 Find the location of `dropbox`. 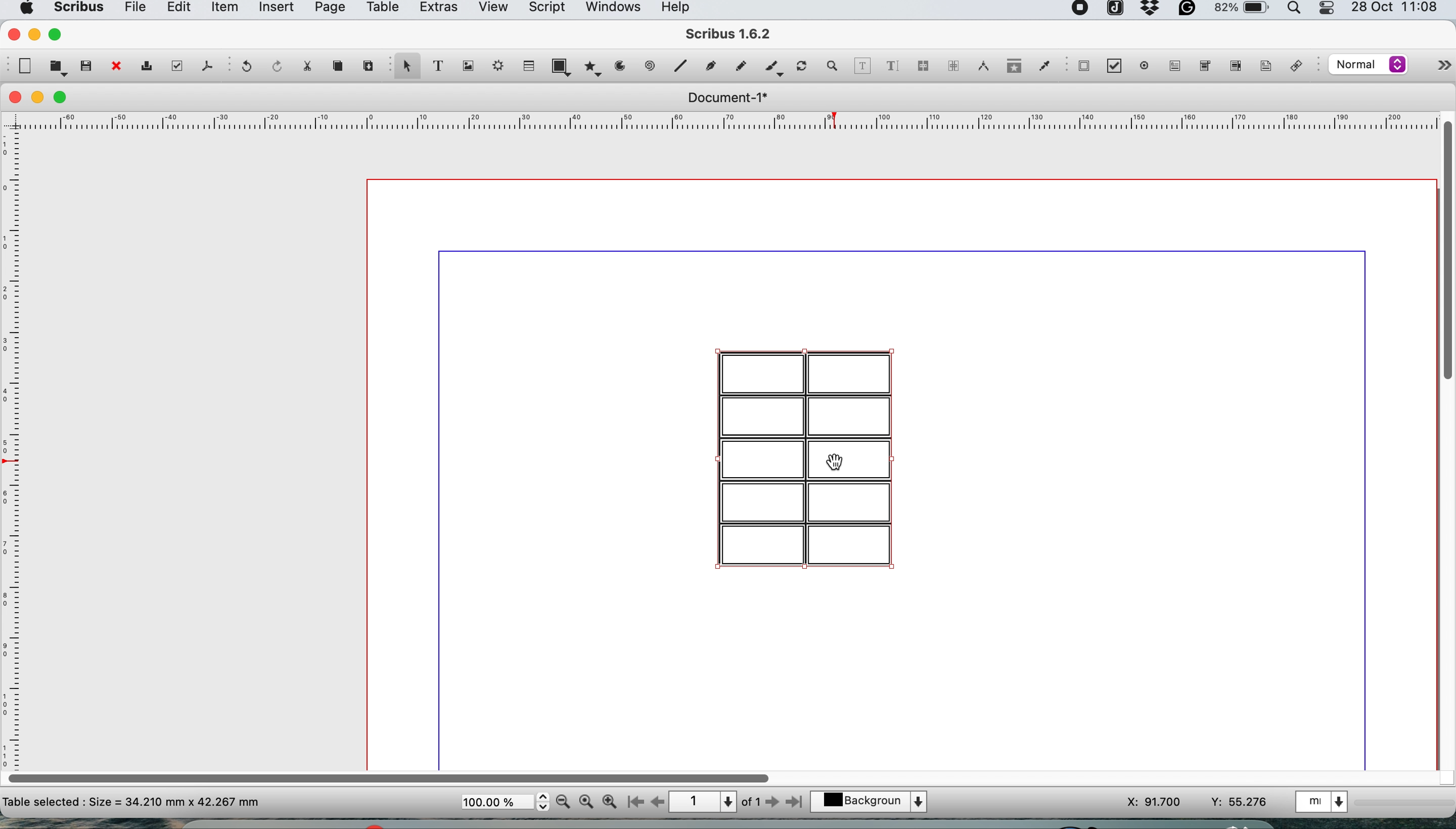

dropbox is located at coordinates (1151, 13).